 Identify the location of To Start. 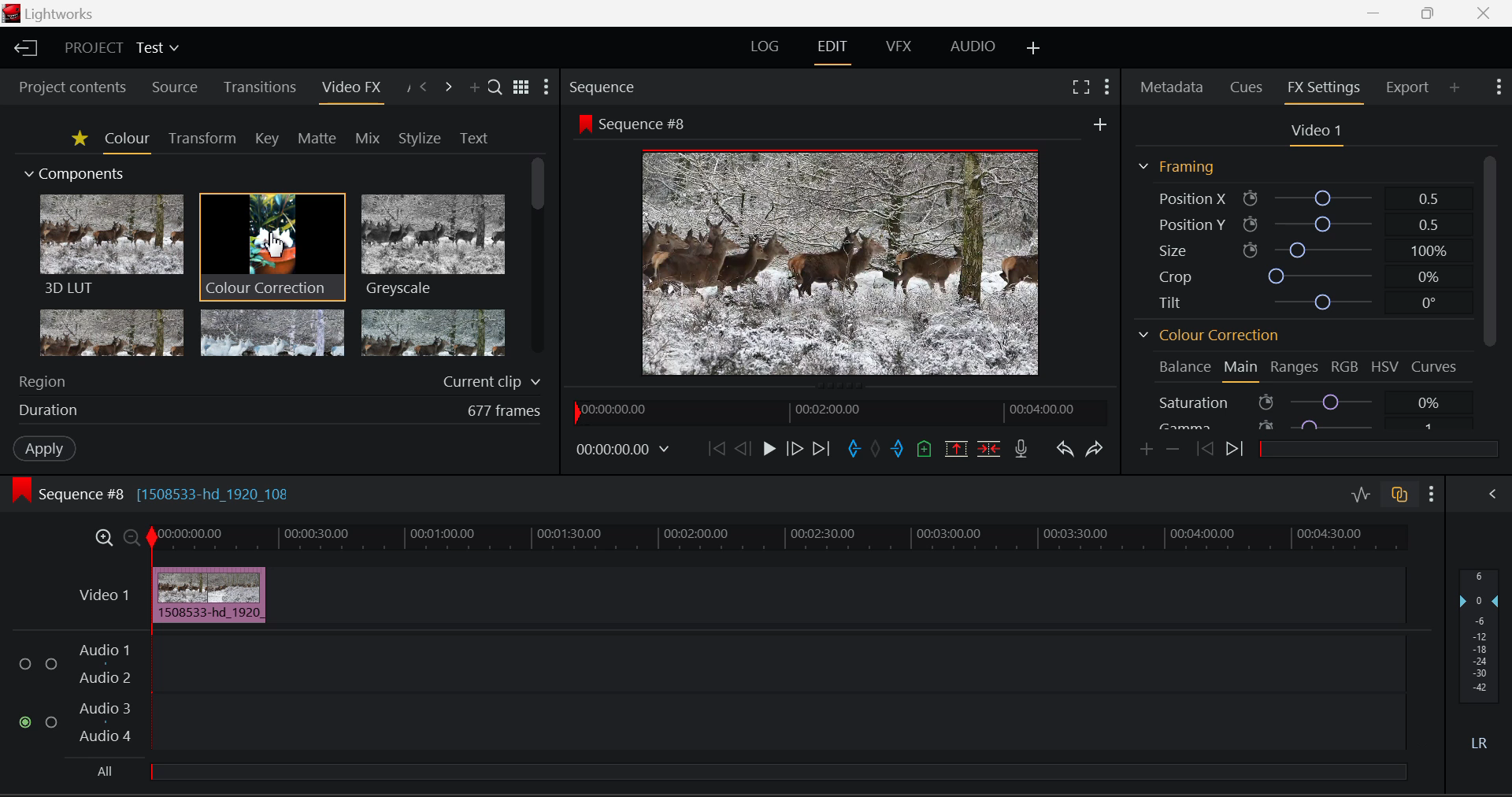
(715, 451).